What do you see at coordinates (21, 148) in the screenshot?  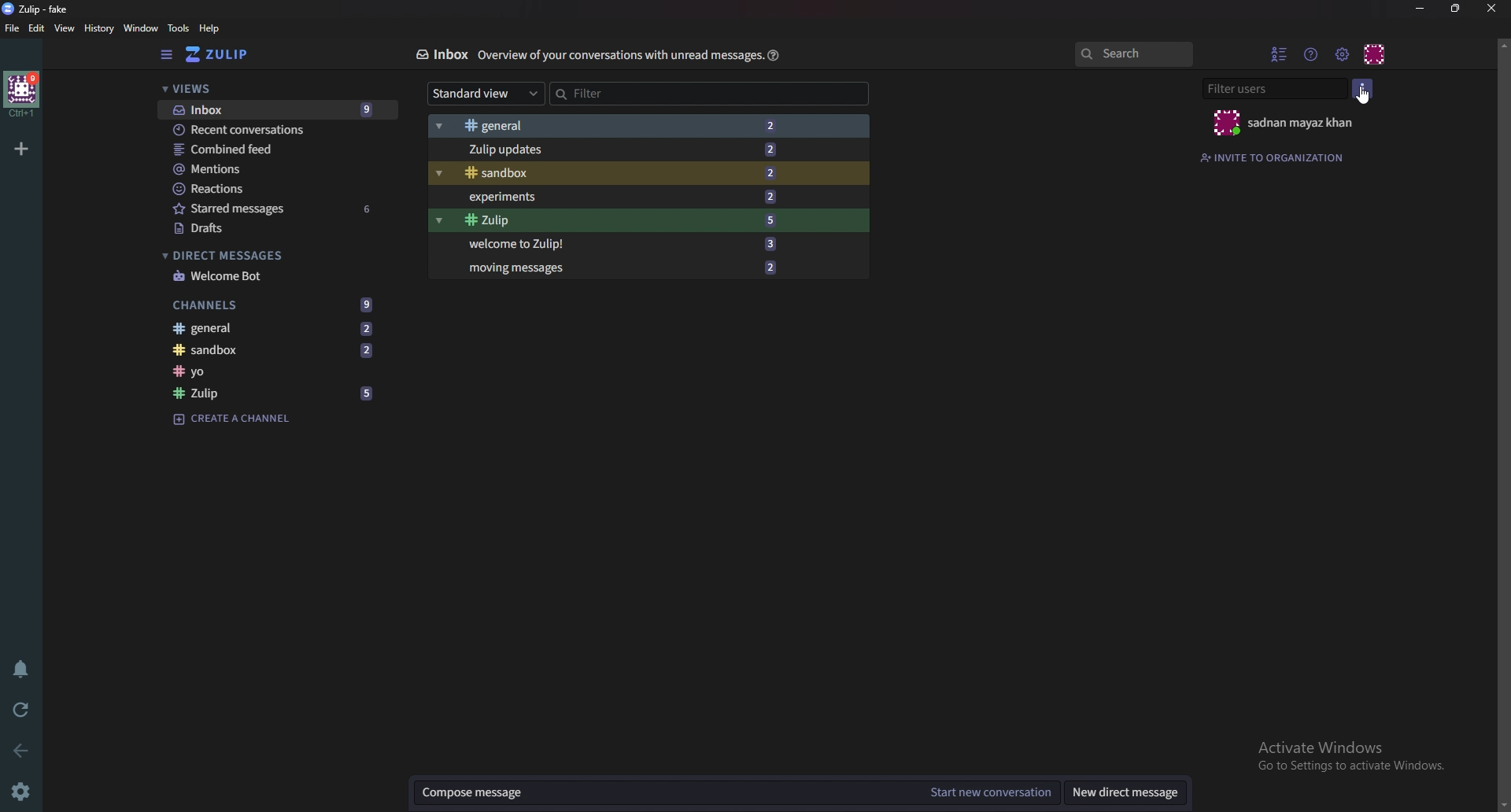 I see `add organization` at bounding box center [21, 148].